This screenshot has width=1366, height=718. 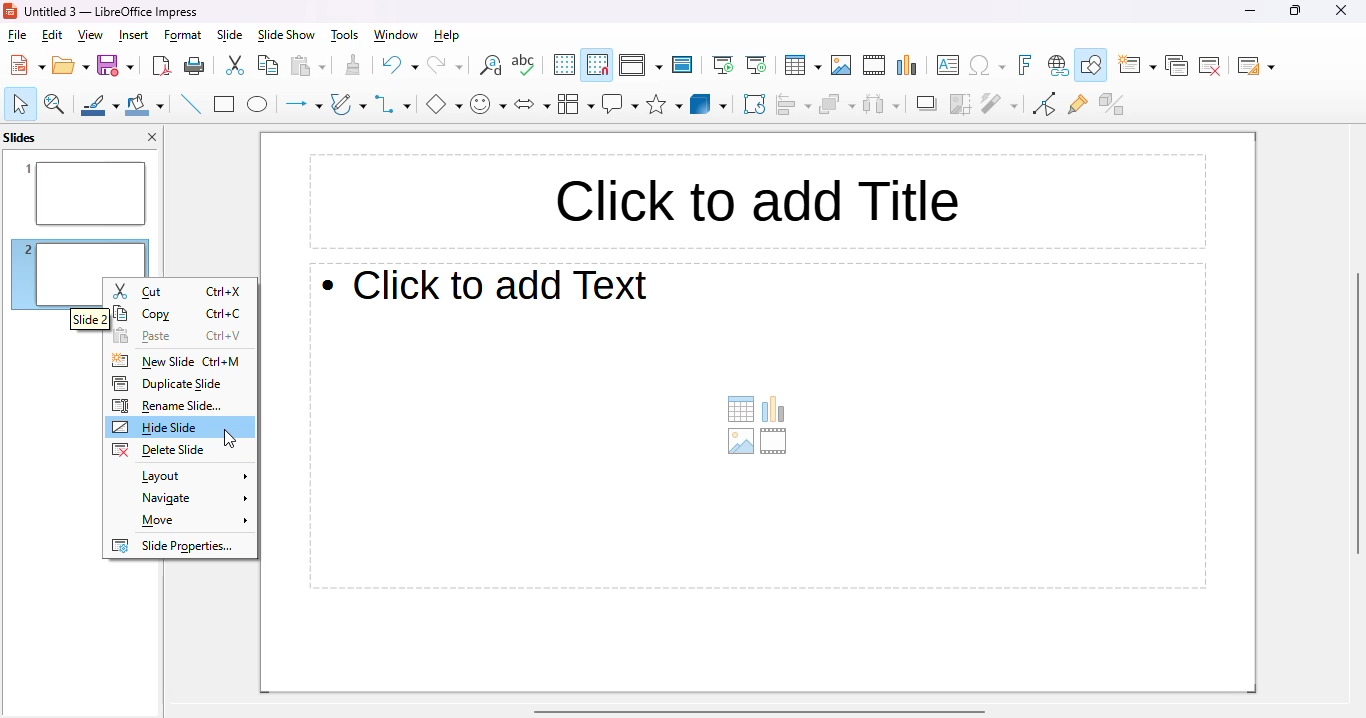 What do you see at coordinates (167, 406) in the screenshot?
I see `rename slide` at bounding box center [167, 406].